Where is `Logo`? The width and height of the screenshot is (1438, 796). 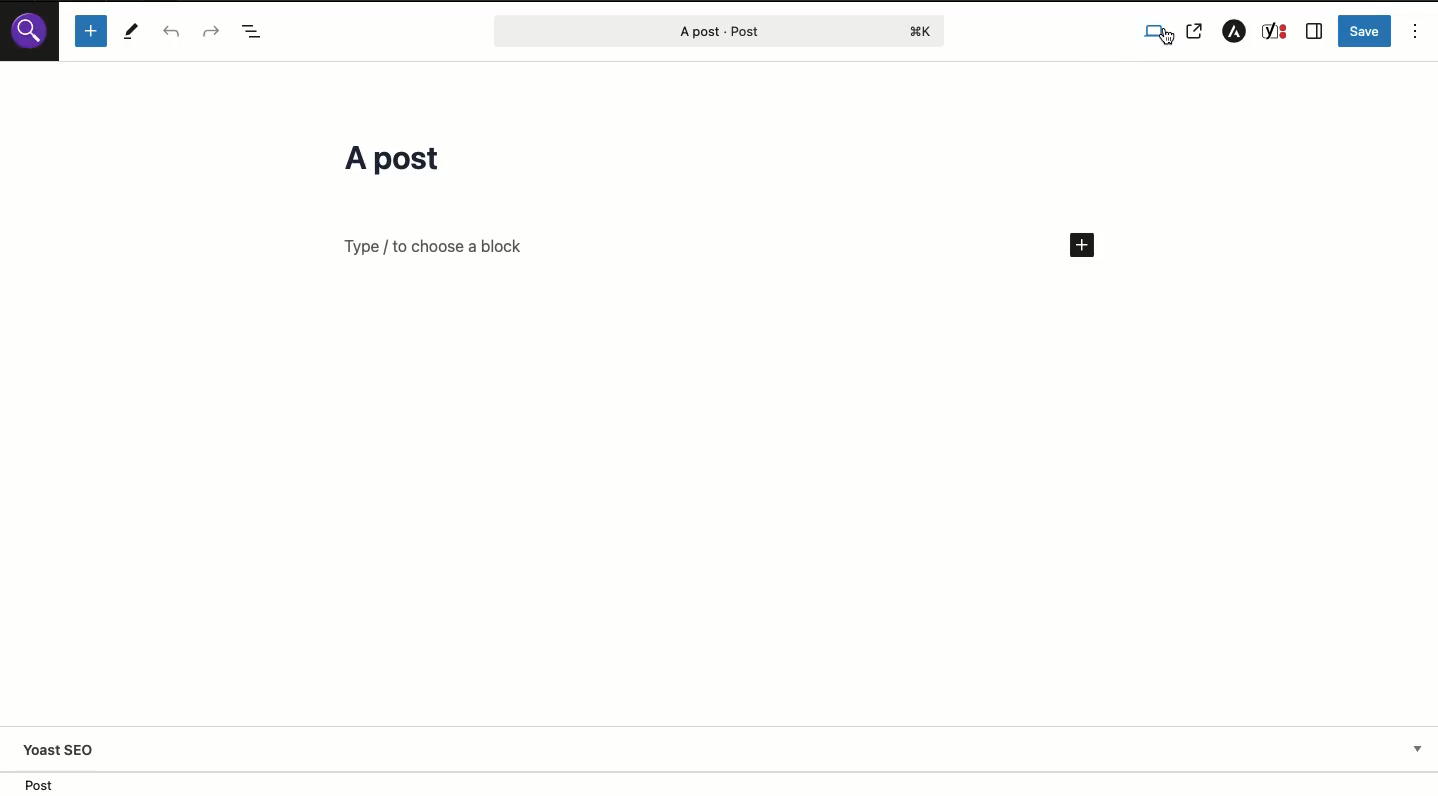
Logo is located at coordinates (31, 35).